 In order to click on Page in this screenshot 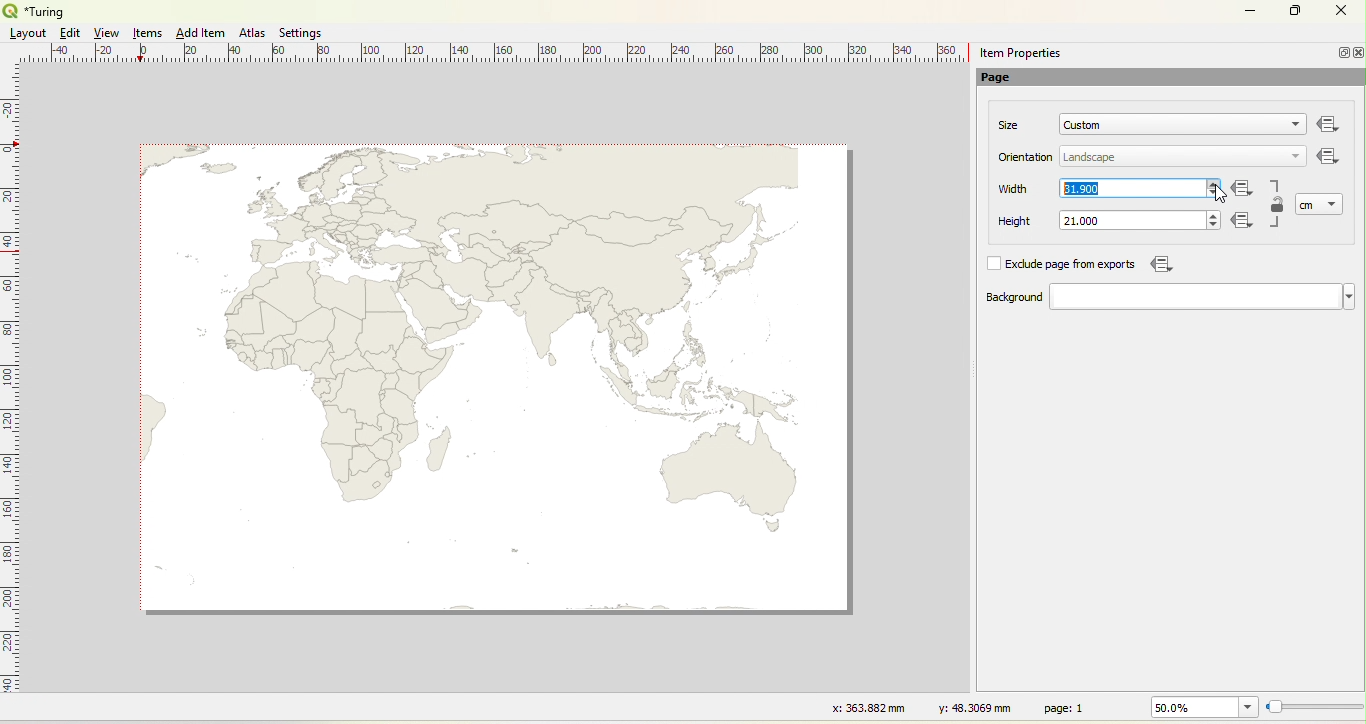, I will do `click(1006, 79)`.